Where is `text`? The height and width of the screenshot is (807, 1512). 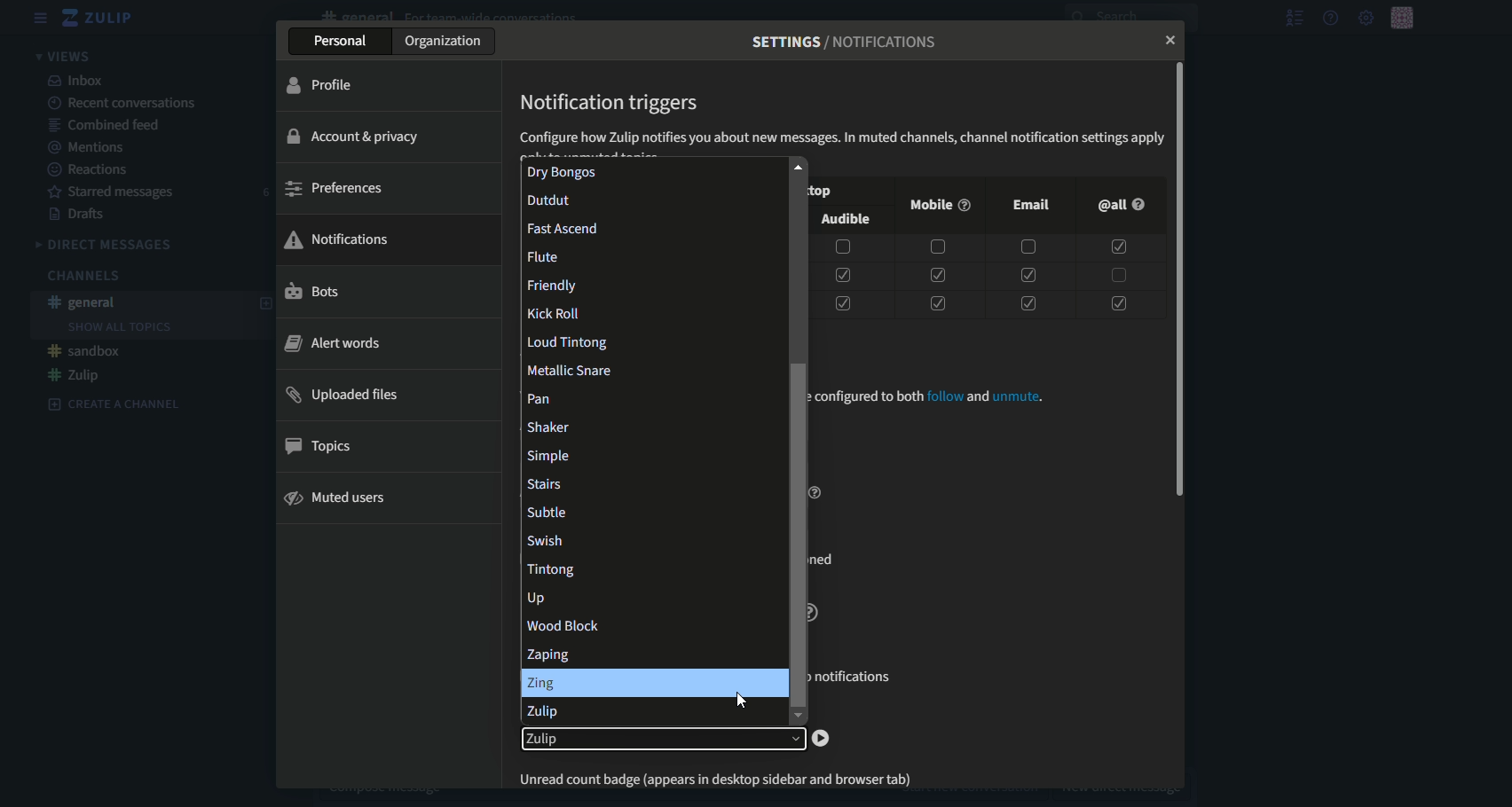 text is located at coordinates (842, 140).